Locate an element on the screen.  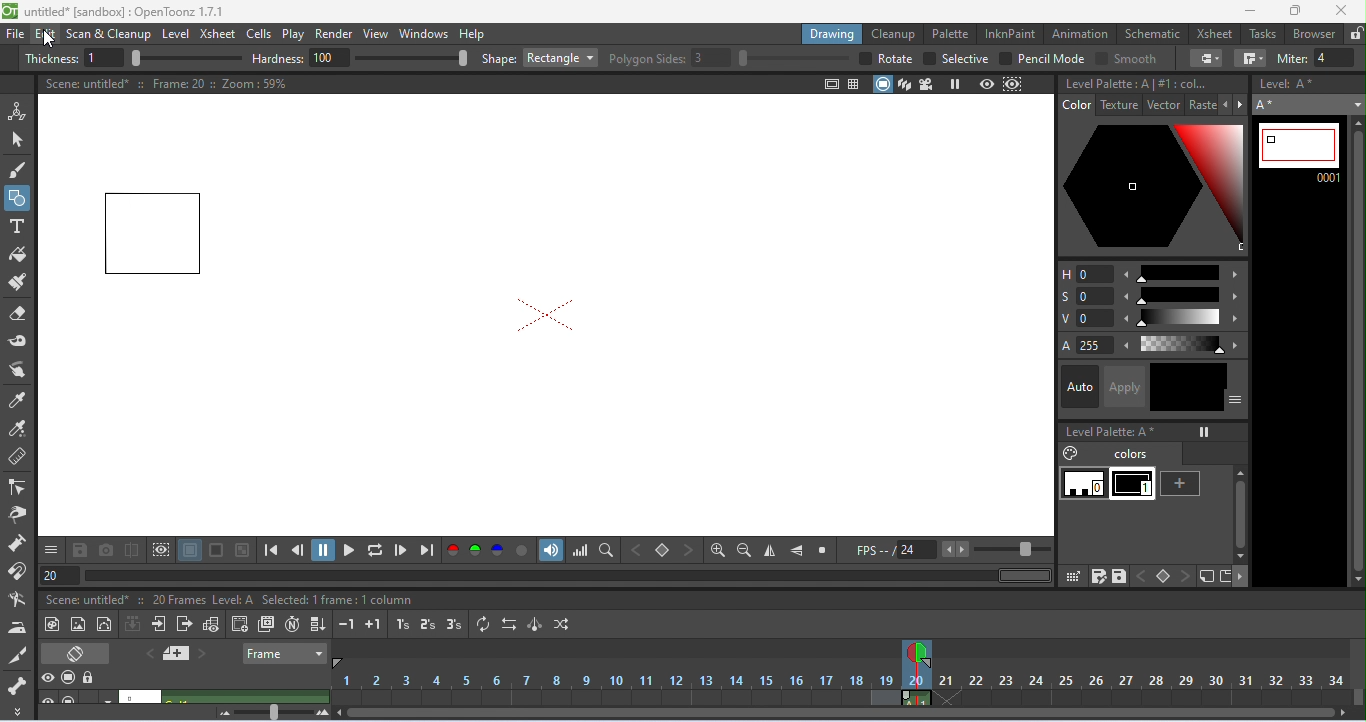
new style is located at coordinates (1182, 484).